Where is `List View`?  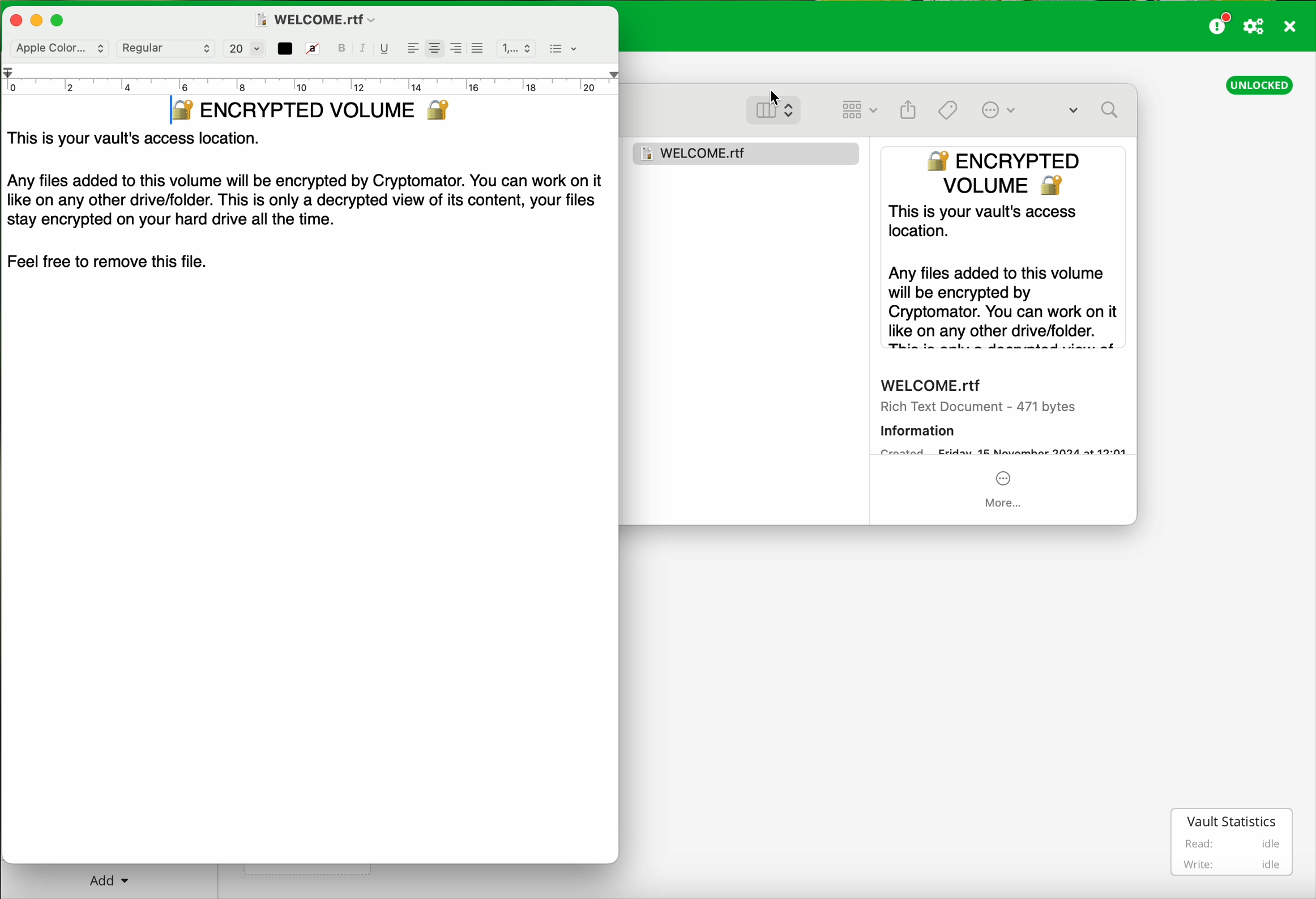 List View is located at coordinates (858, 110).